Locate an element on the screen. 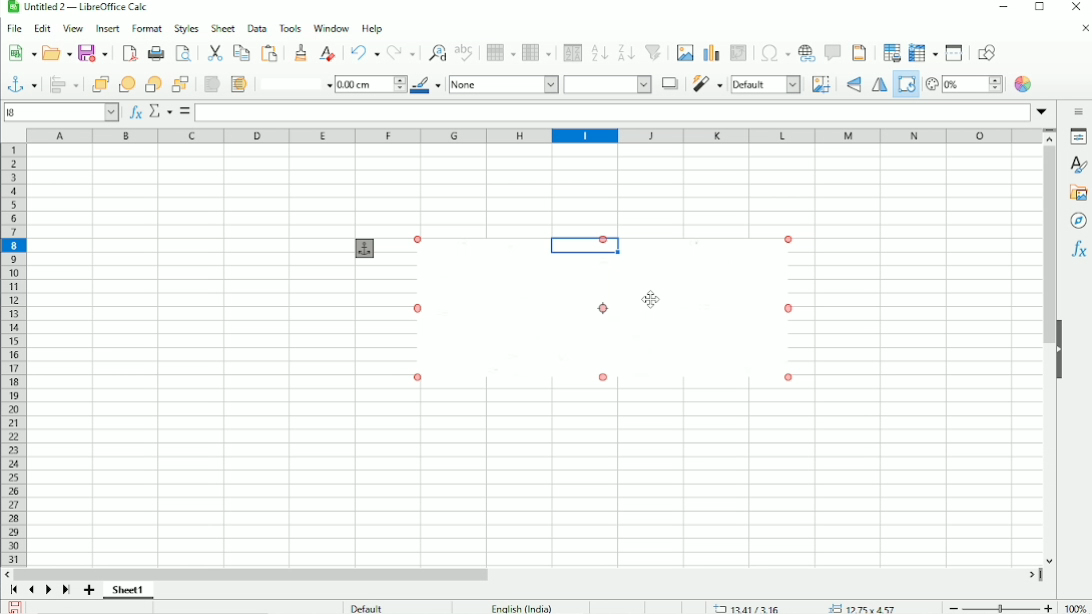  Expand formula bar is located at coordinates (1042, 110).